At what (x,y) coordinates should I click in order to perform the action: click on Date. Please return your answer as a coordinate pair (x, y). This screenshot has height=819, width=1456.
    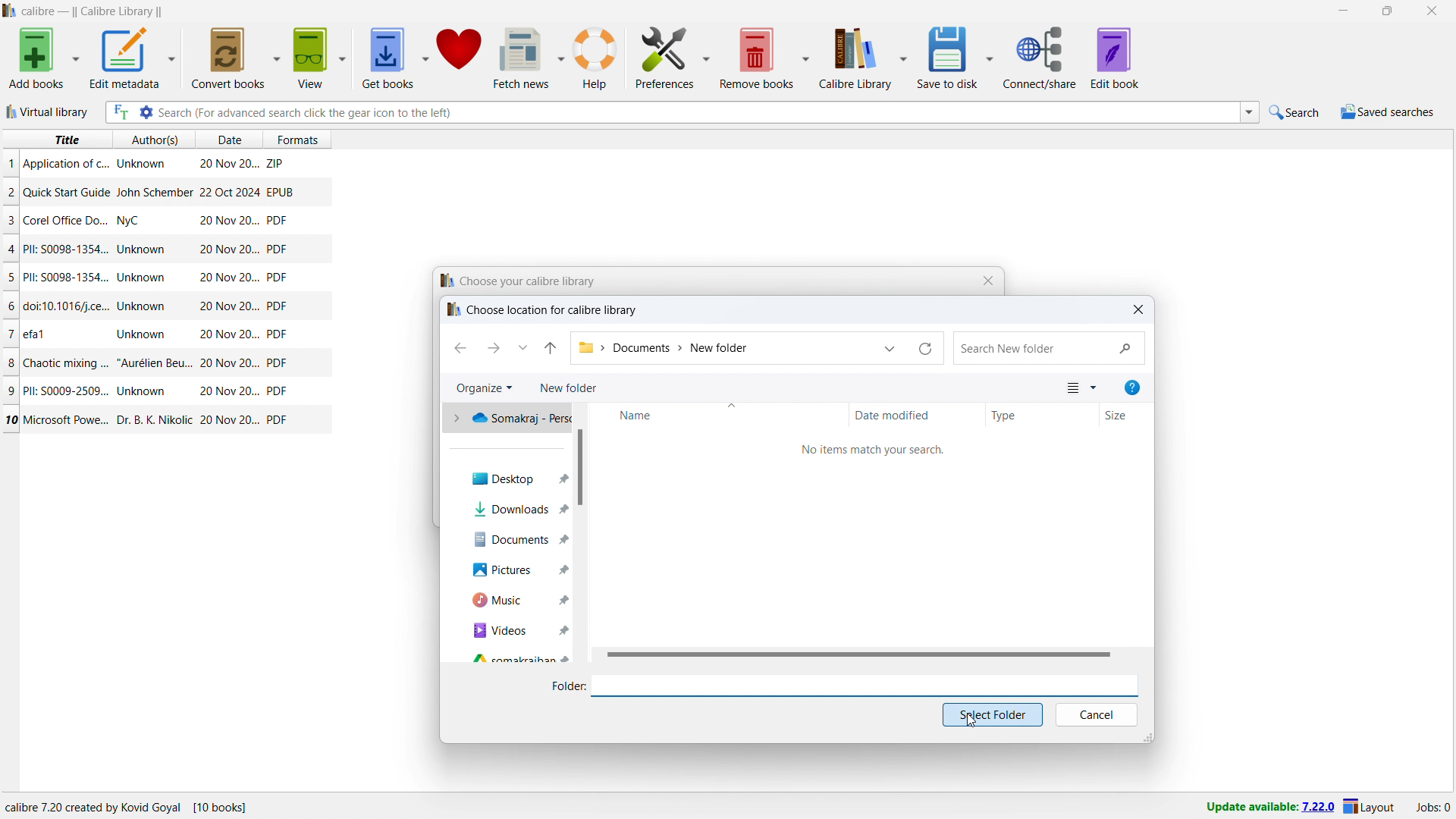
    Looking at the image, I should click on (227, 192).